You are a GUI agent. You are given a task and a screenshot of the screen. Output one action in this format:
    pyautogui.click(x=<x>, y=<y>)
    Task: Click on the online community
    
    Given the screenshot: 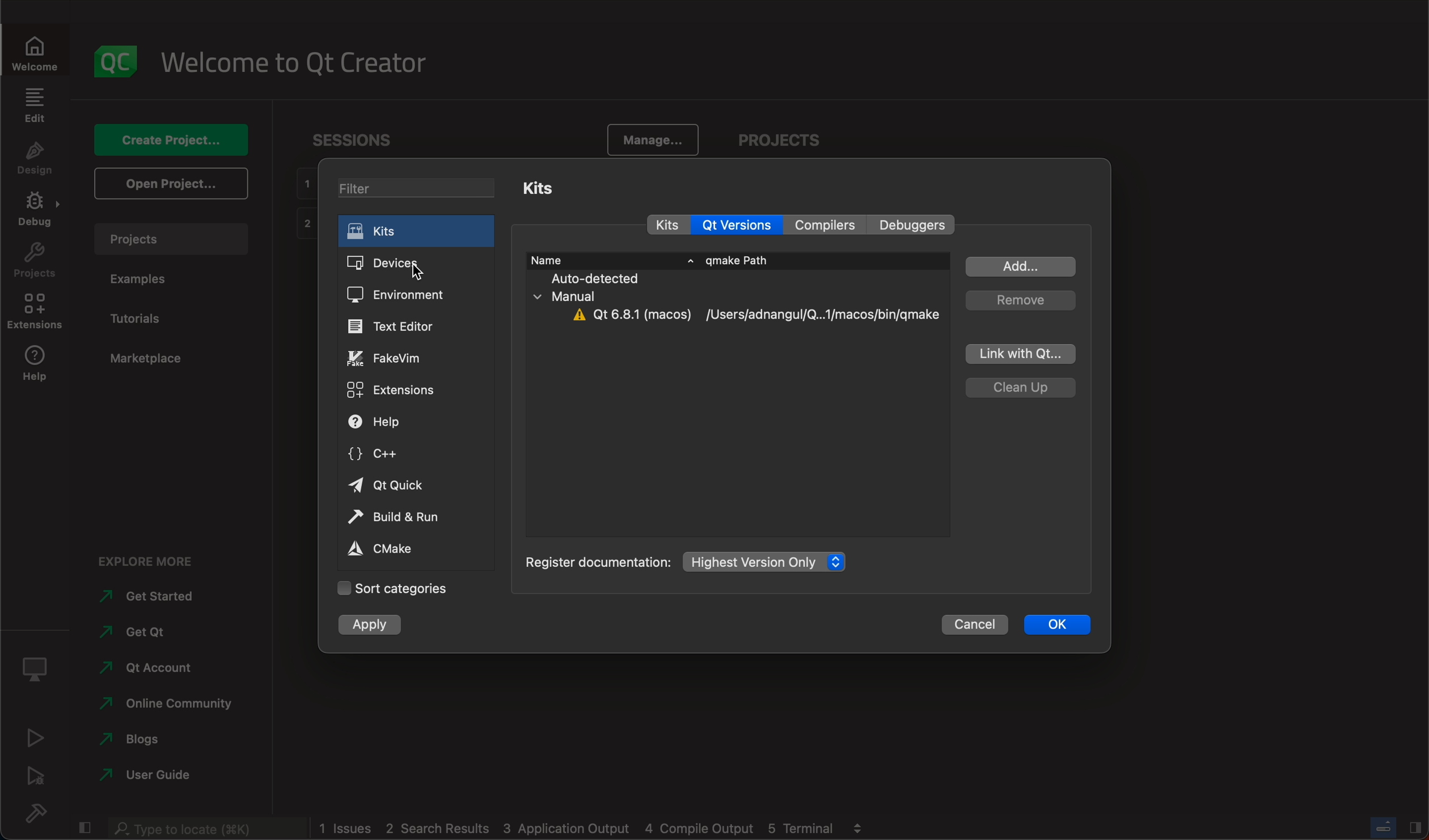 What is the action you would take?
    pyautogui.click(x=162, y=705)
    